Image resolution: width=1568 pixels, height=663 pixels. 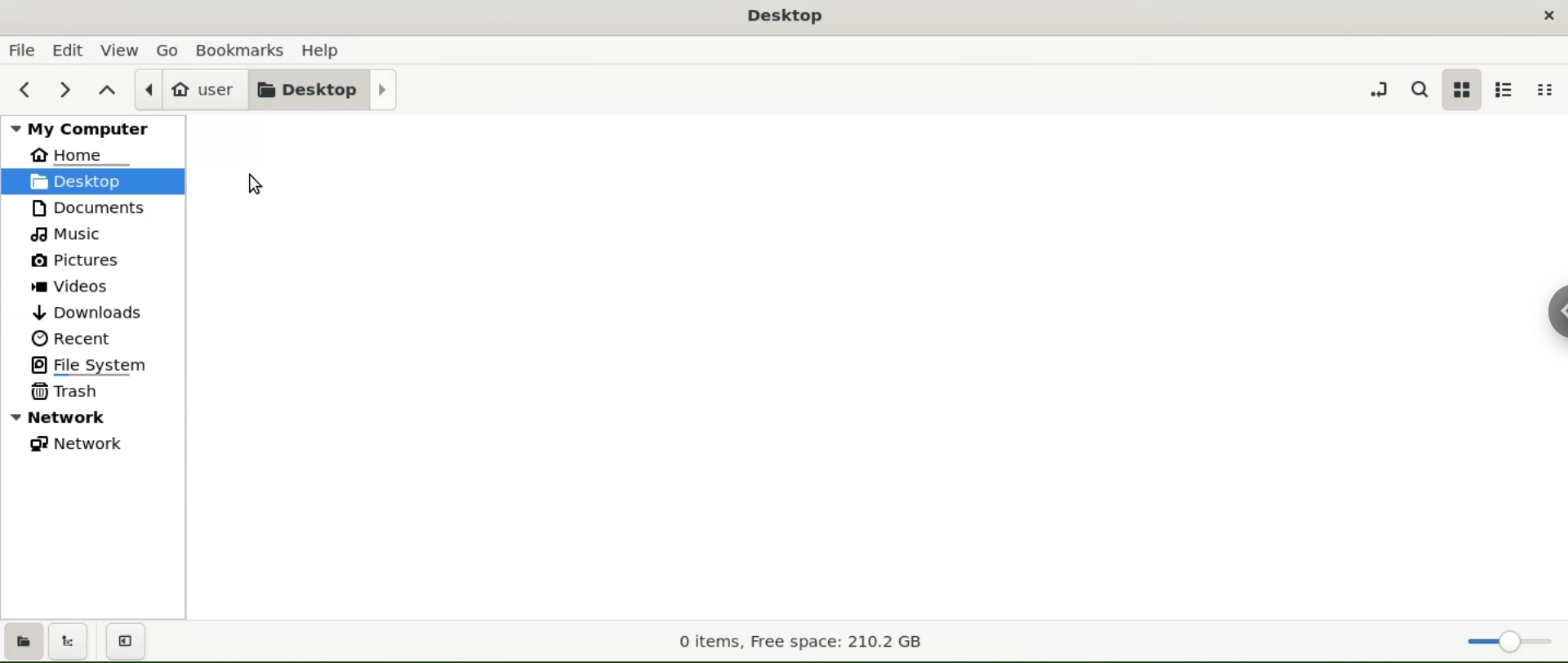 What do you see at coordinates (91, 285) in the screenshot?
I see `videos` at bounding box center [91, 285].